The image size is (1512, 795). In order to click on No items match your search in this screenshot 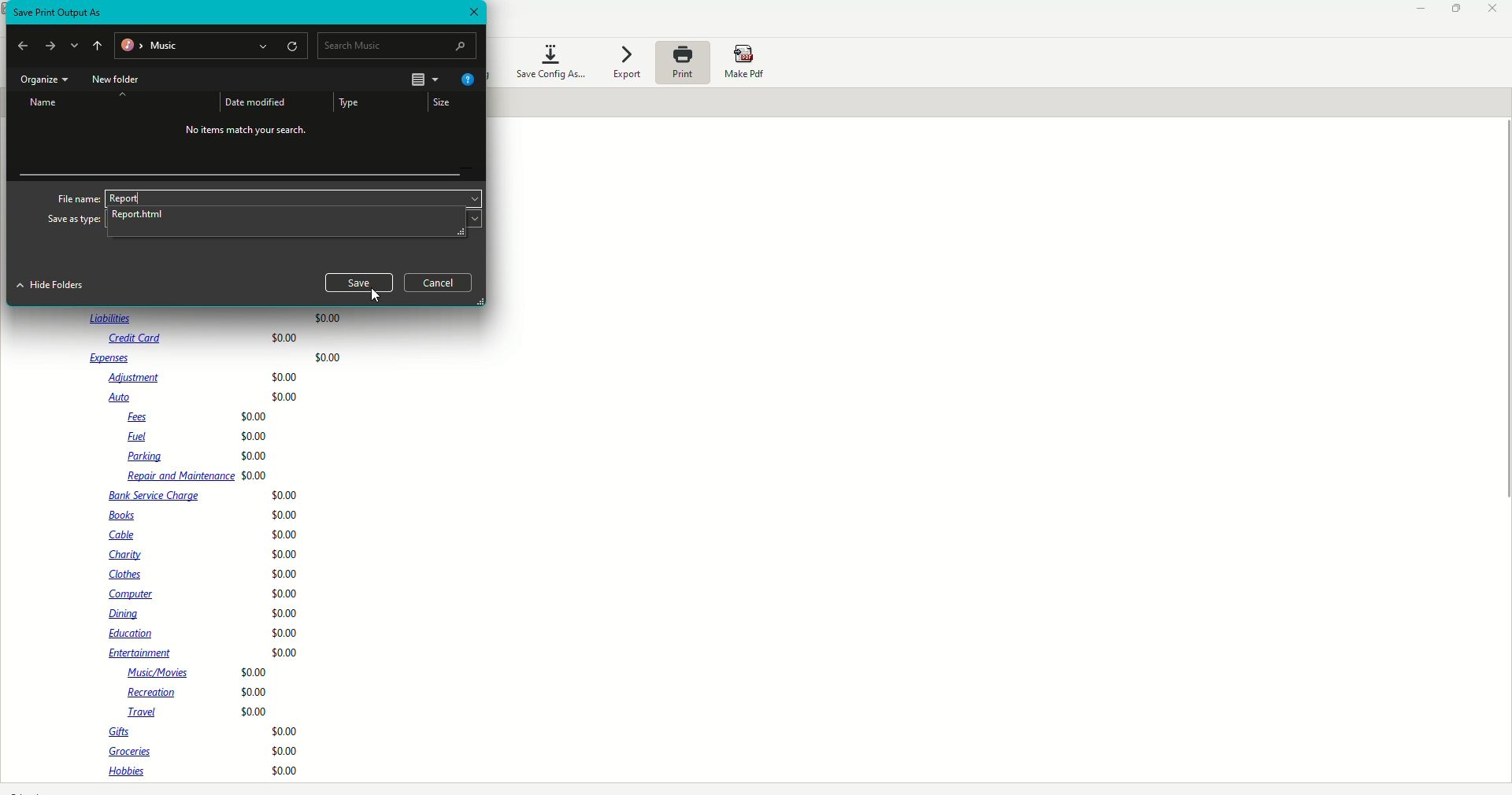, I will do `click(249, 133)`.